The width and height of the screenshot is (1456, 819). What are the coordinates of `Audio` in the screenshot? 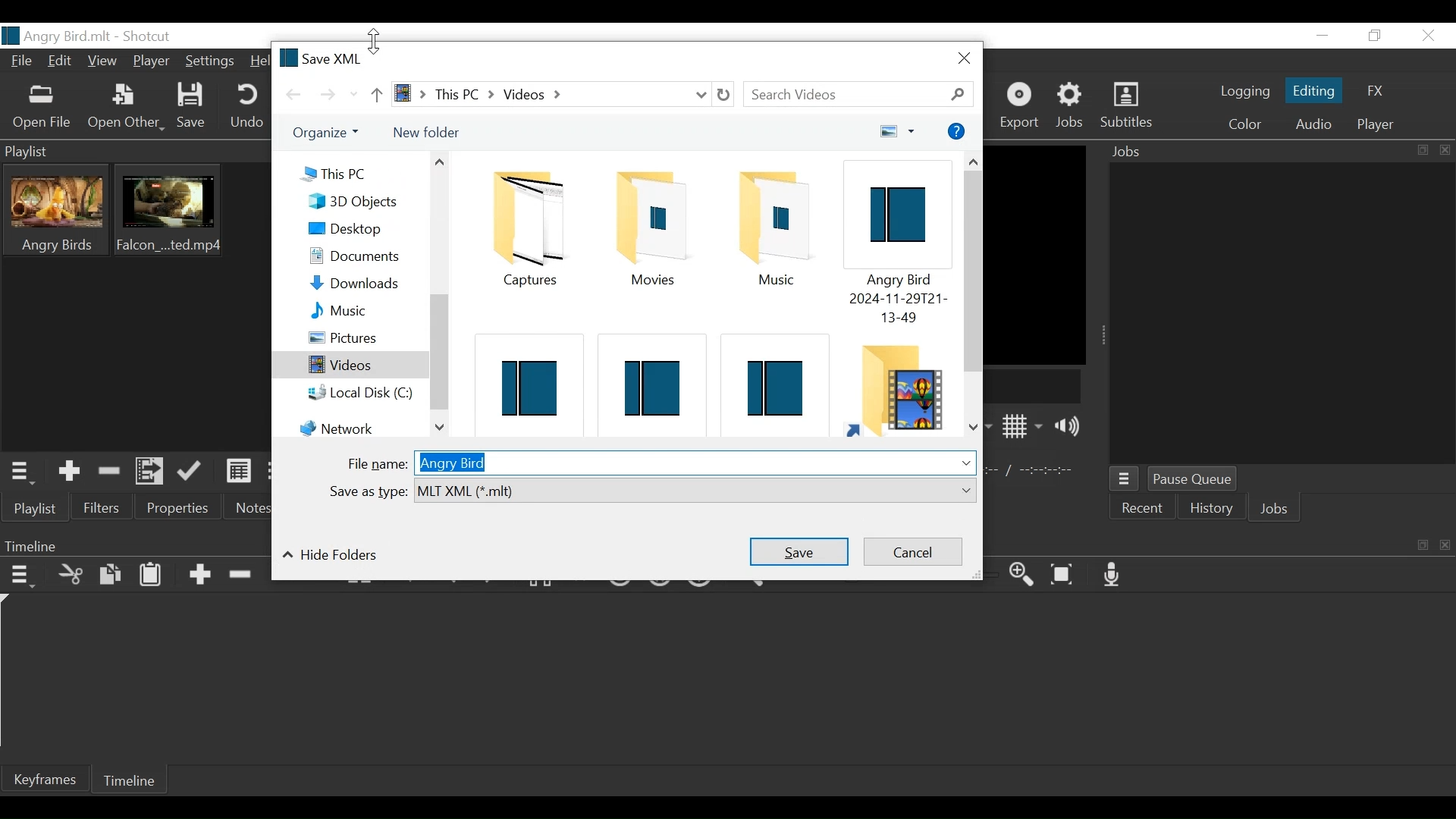 It's located at (1312, 124).